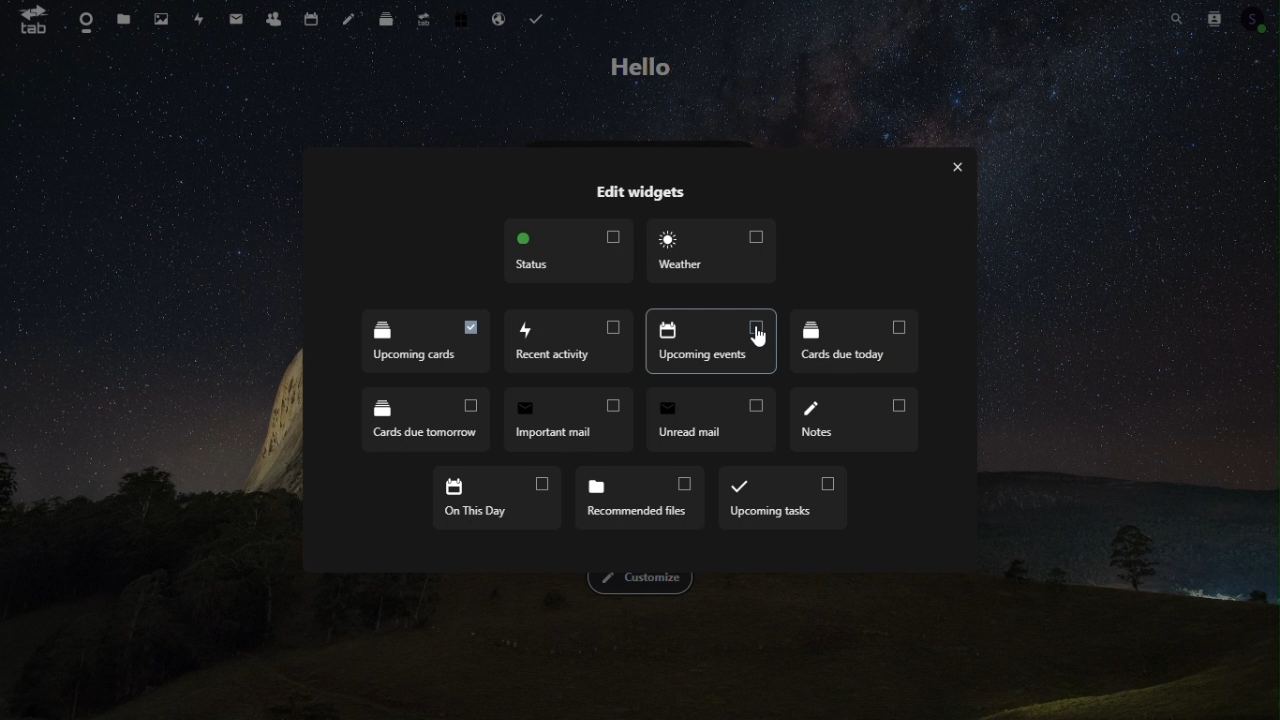  What do you see at coordinates (567, 340) in the screenshot?
I see `Upcoming events ` at bounding box center [567, 340].